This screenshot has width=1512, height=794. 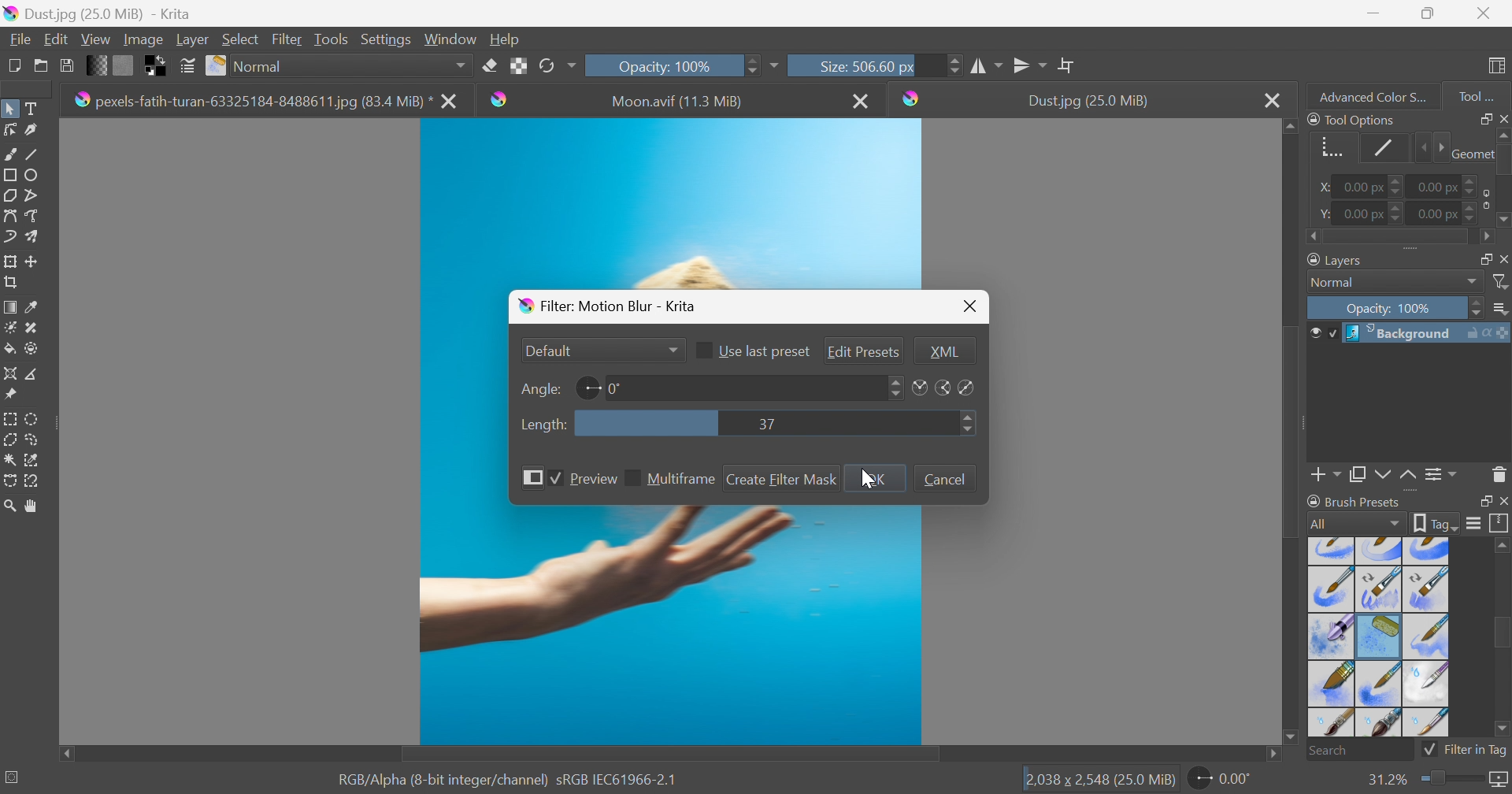 I want to click on Settings, so click(x=388, y=39).